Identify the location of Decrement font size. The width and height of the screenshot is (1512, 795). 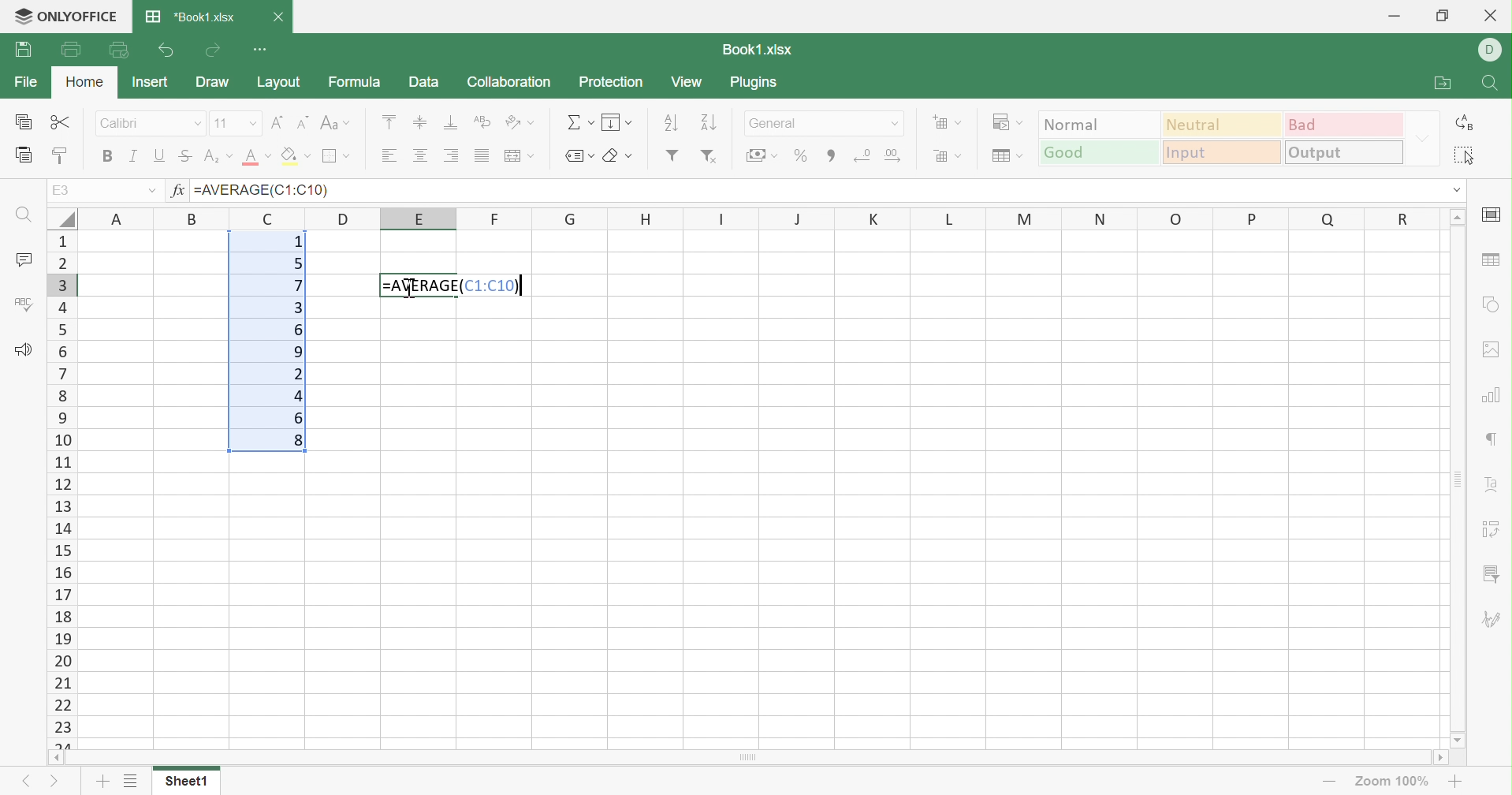
(302, 123).